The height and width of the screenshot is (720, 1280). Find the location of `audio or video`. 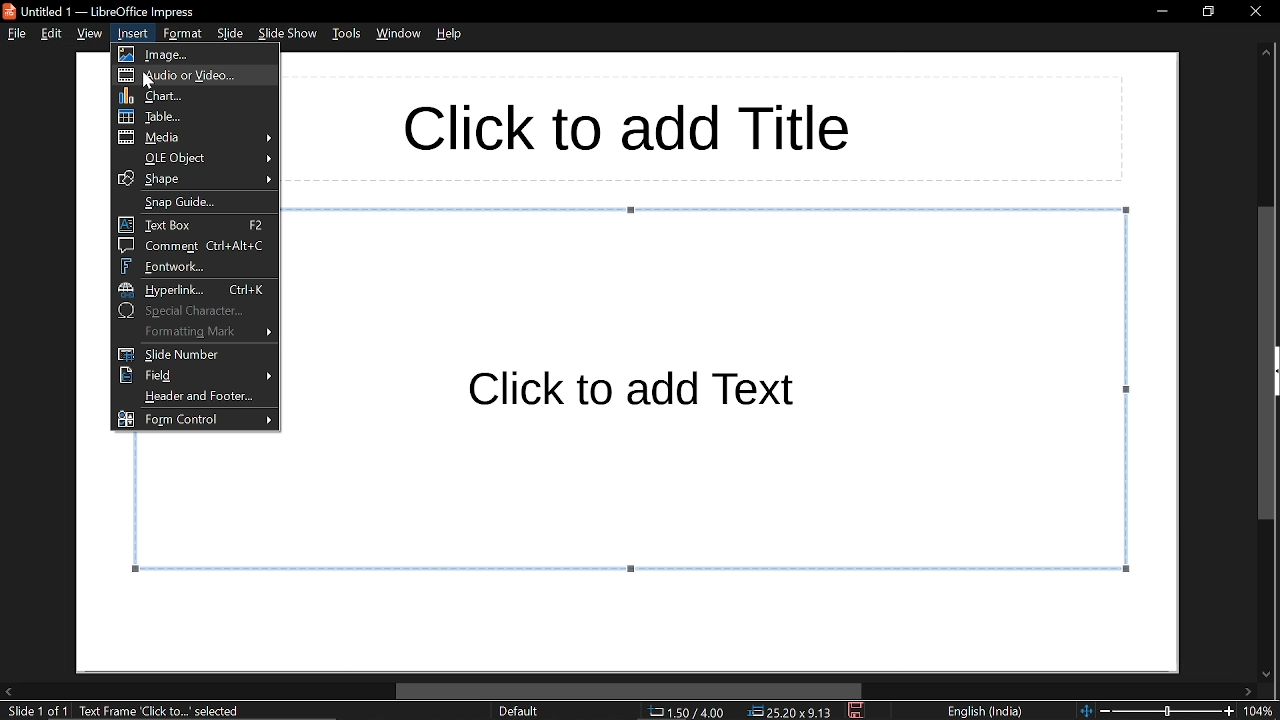

audio or video is located at coordinates (197, 77).